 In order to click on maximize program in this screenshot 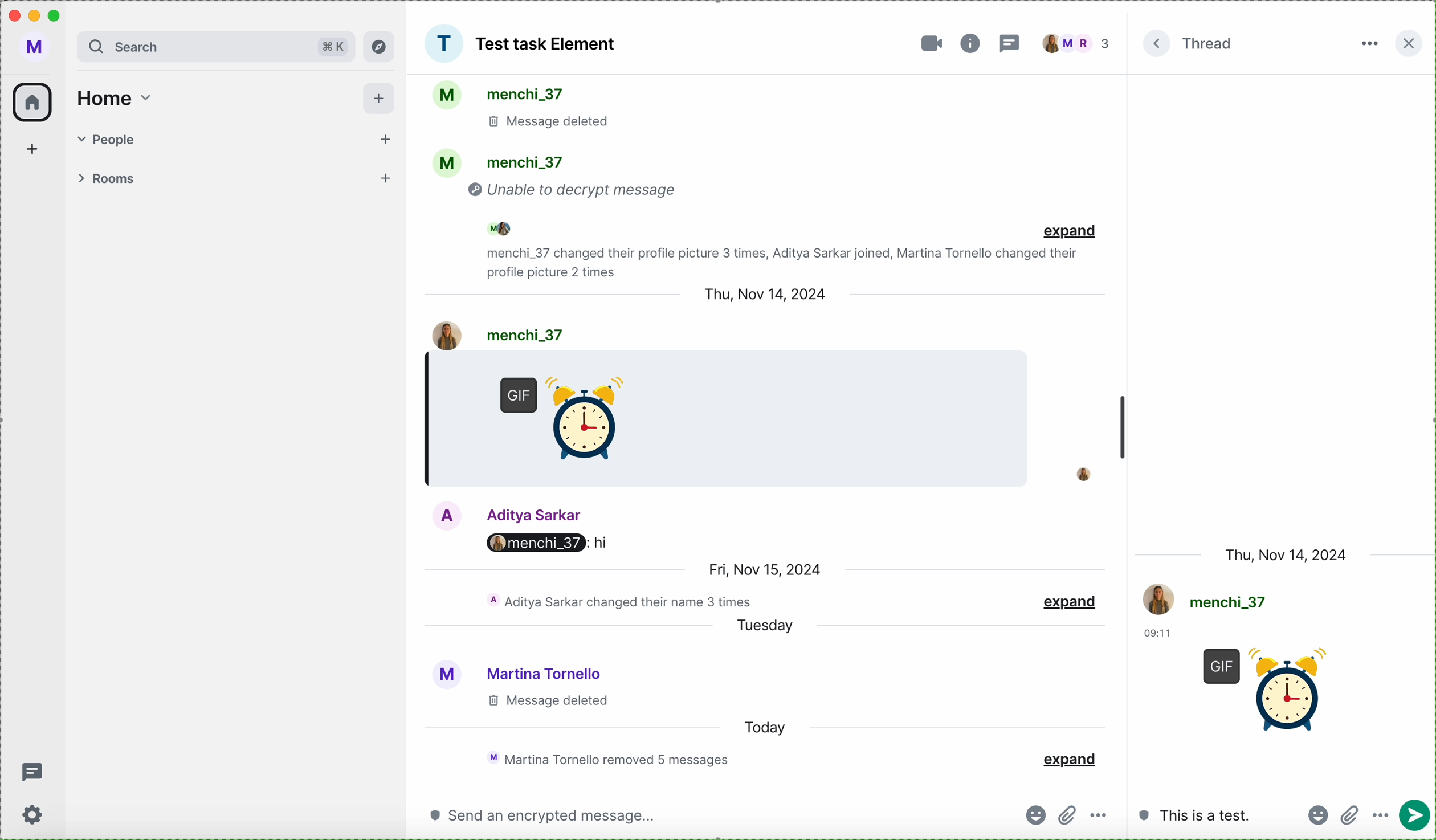, I will do `click(59, 14)`.